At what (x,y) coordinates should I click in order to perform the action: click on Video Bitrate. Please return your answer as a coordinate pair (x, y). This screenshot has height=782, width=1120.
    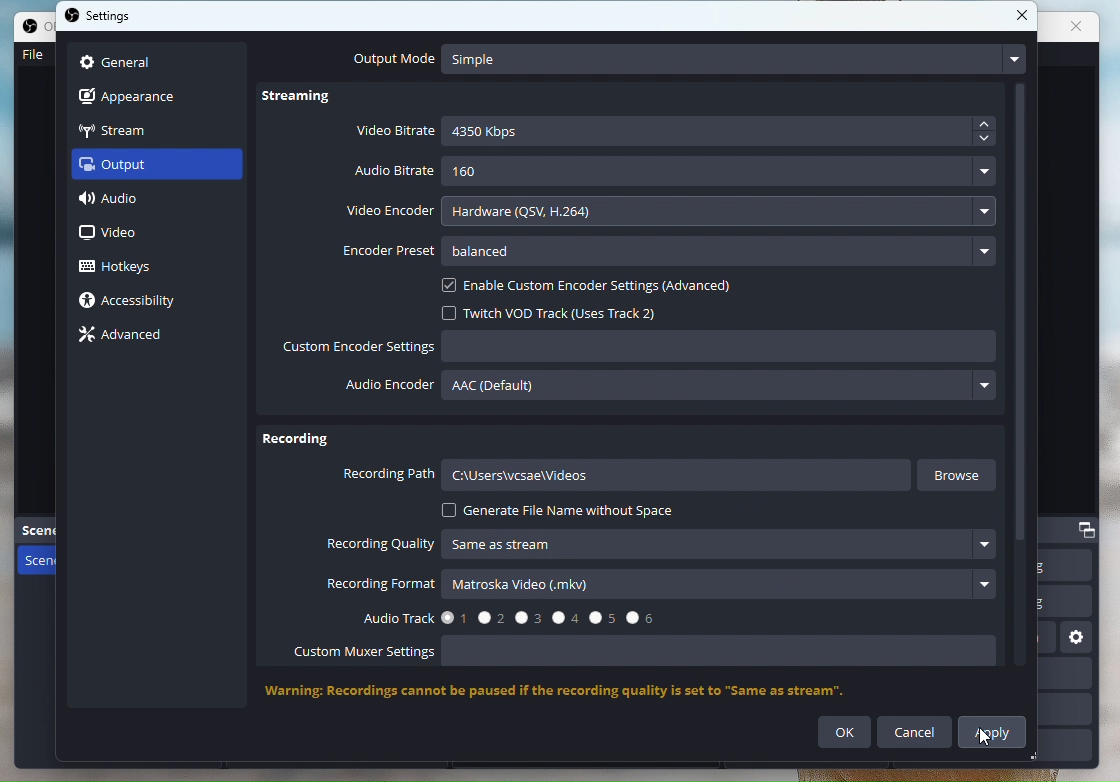
    Looking at the image, I should click on (677, 133).